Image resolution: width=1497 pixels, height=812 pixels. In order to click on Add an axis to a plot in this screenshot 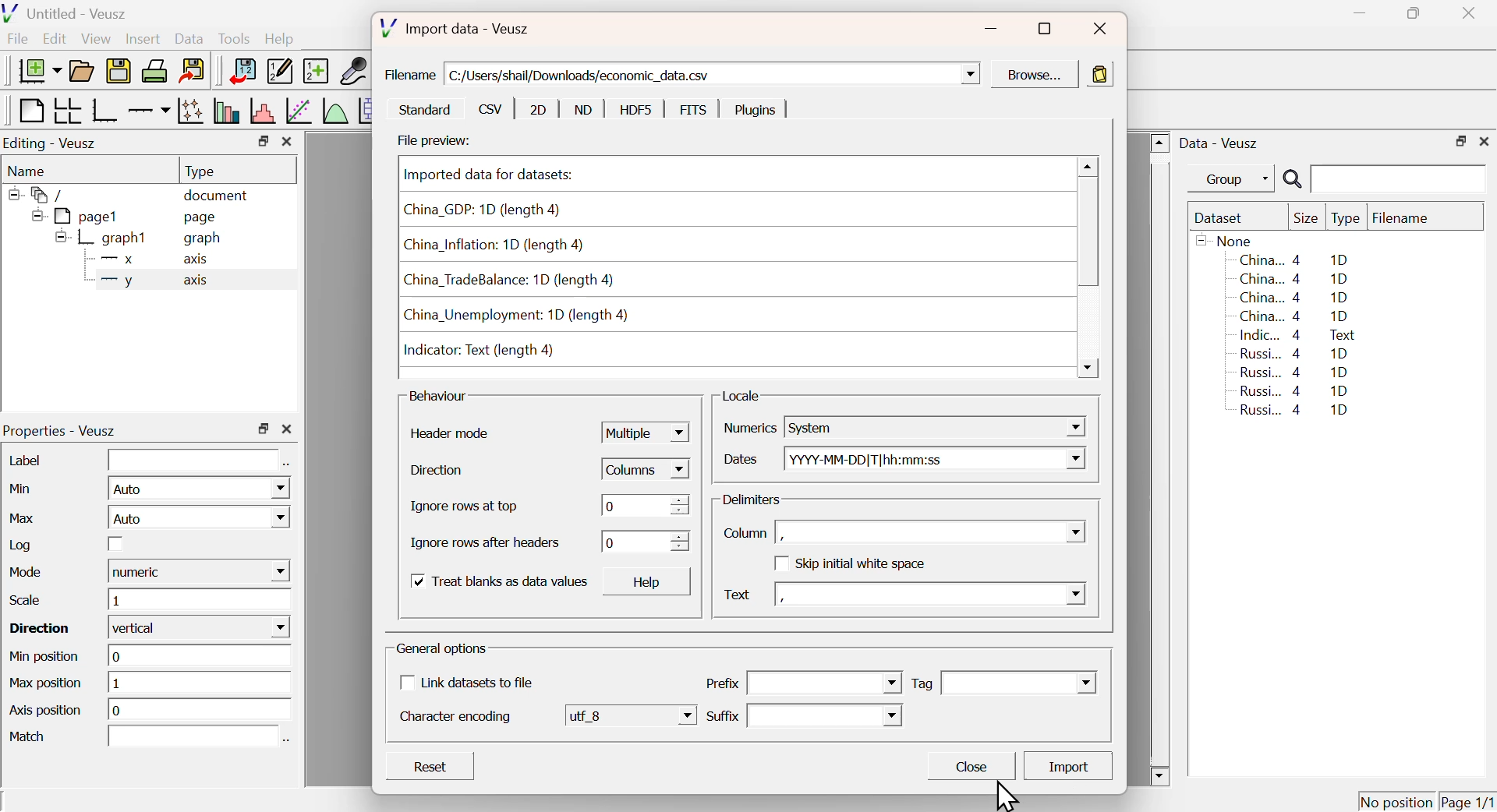, I will do `click(148, 112)`.